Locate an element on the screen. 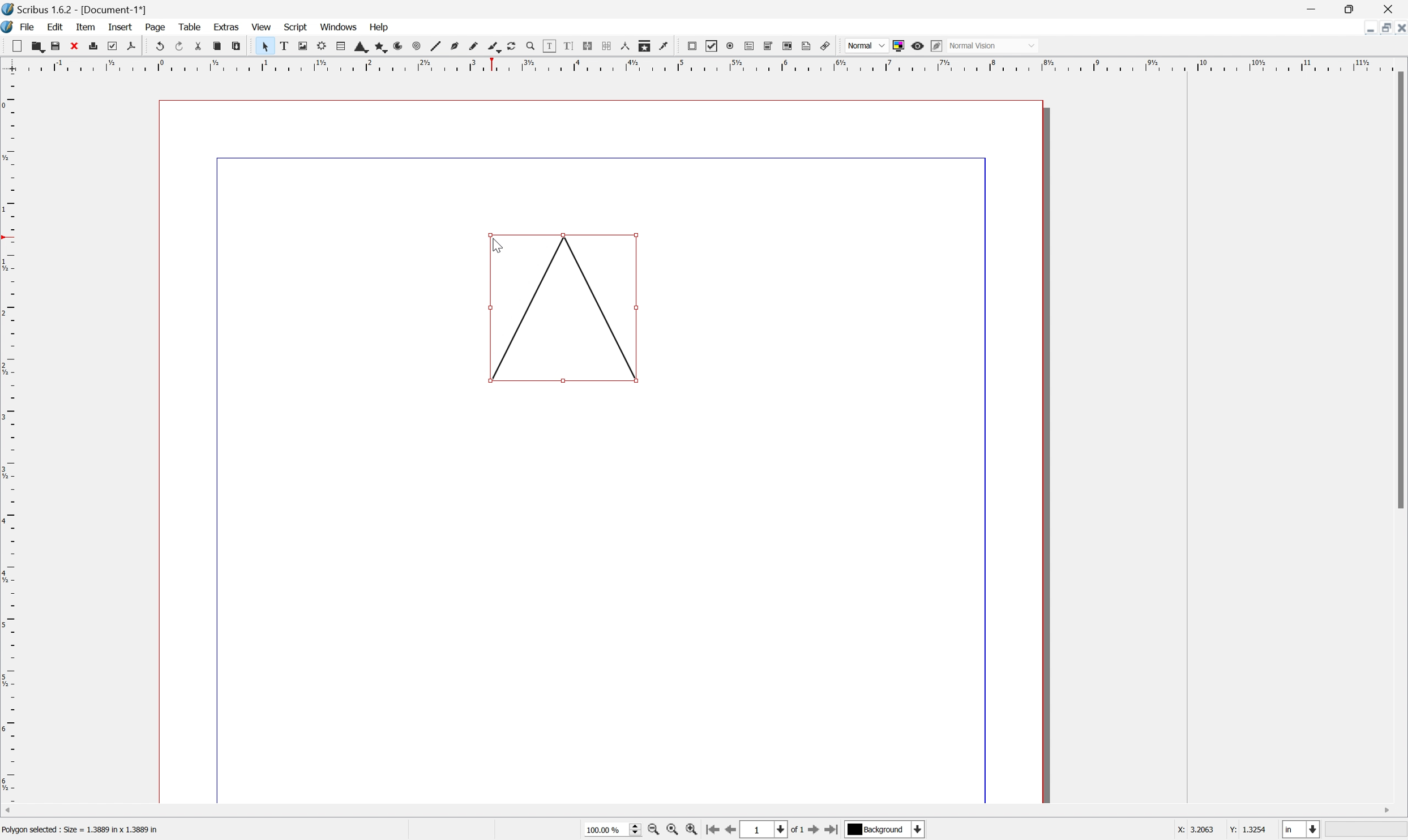 The width and height of the screenshot is (1408, 840). Extras is located at coordinates (226, 26).